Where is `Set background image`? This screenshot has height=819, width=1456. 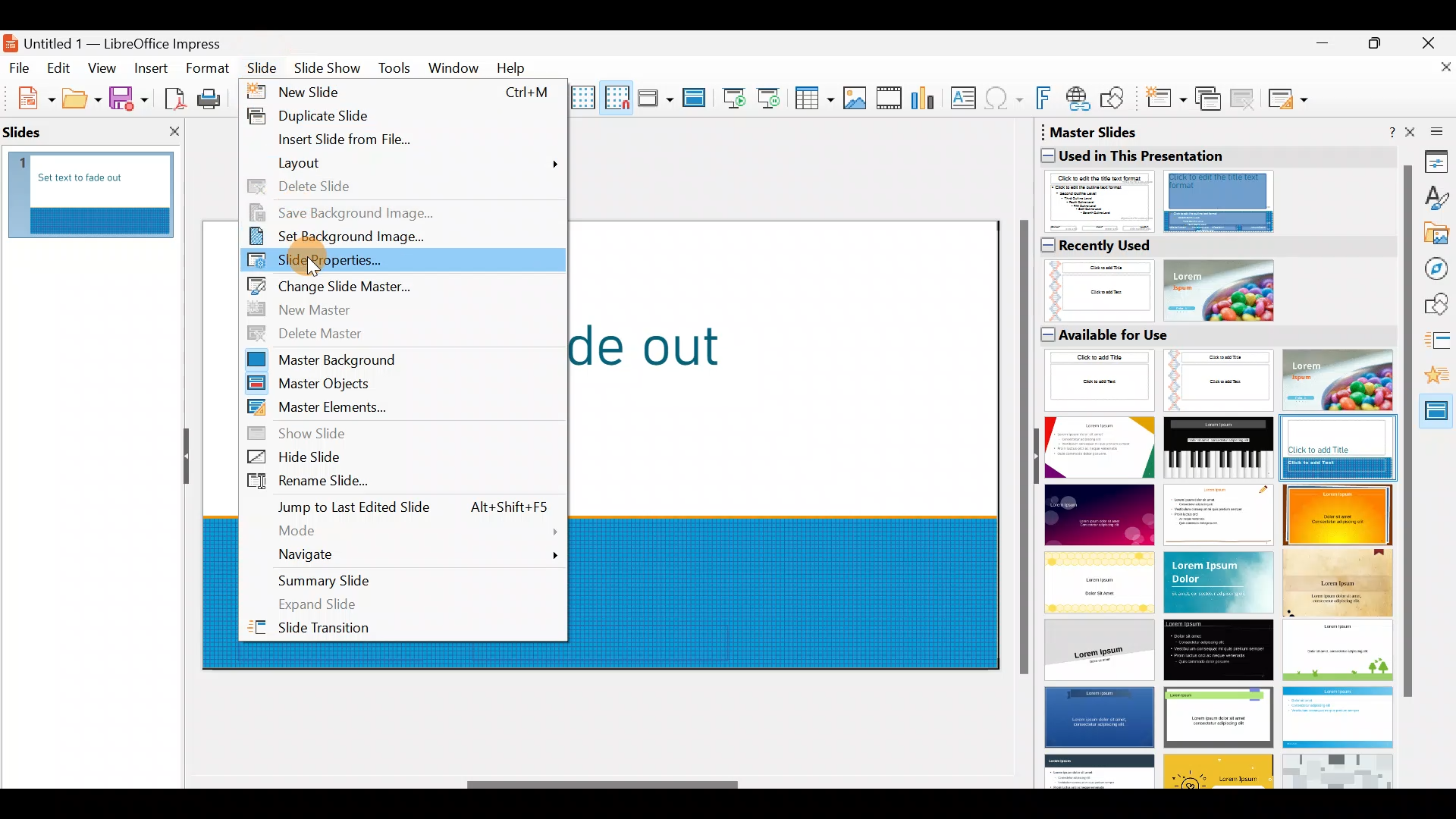
Set background image is located at coordinates (395, 239).